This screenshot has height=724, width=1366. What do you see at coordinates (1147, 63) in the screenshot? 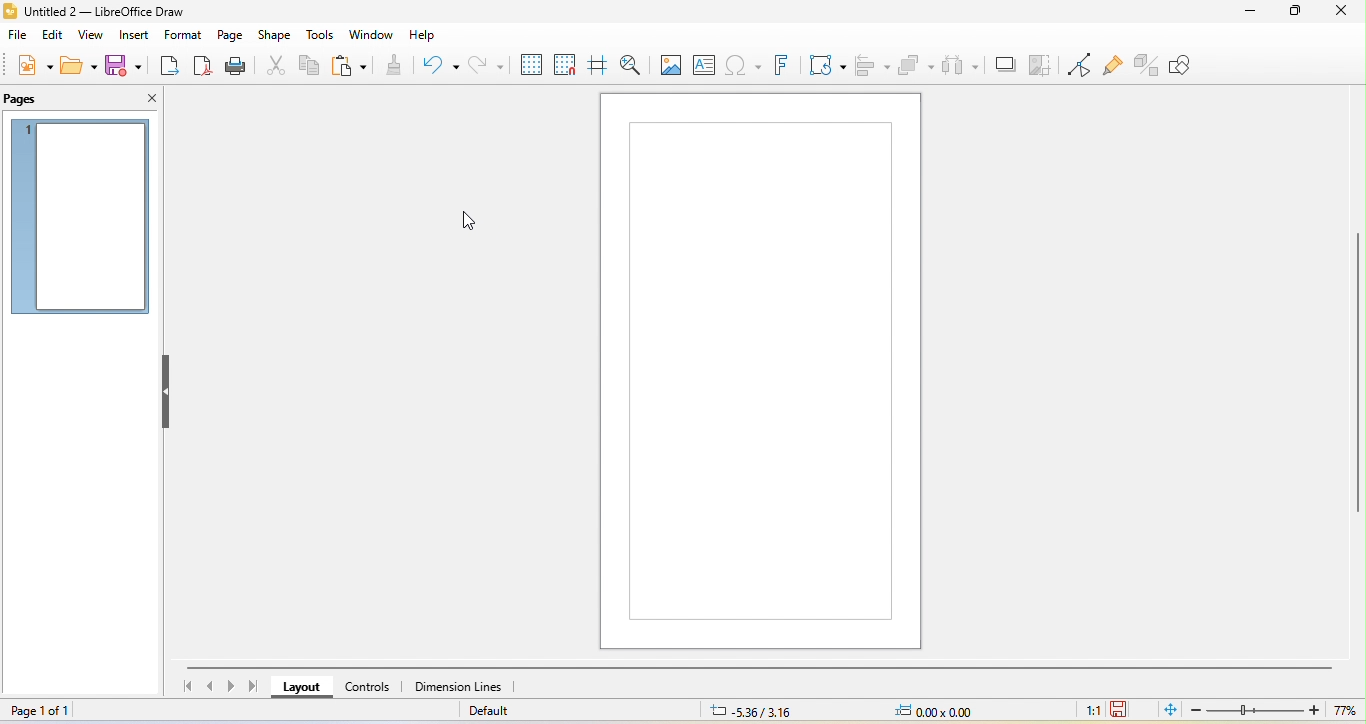
I see `toggle extrusion` at bounding box center [1147, 63].